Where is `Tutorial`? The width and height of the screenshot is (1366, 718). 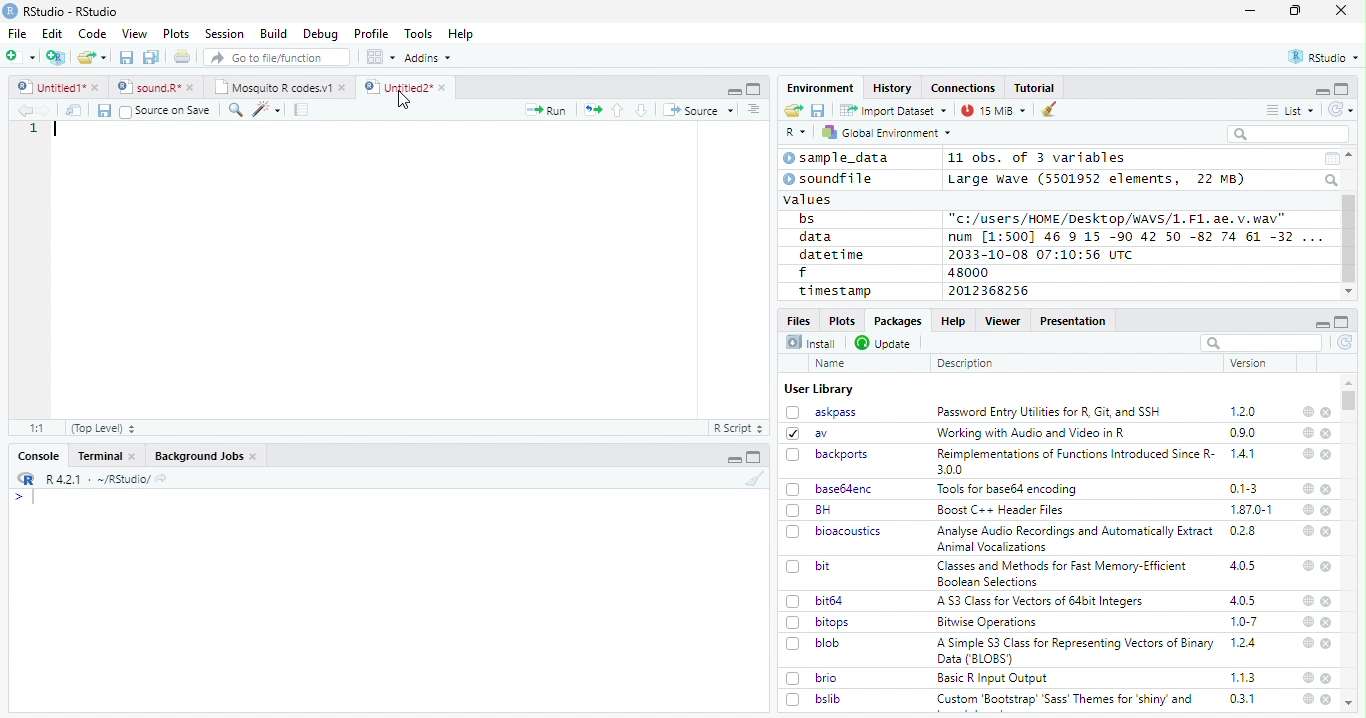
Tutorial is located at coordinates (1036, 88).